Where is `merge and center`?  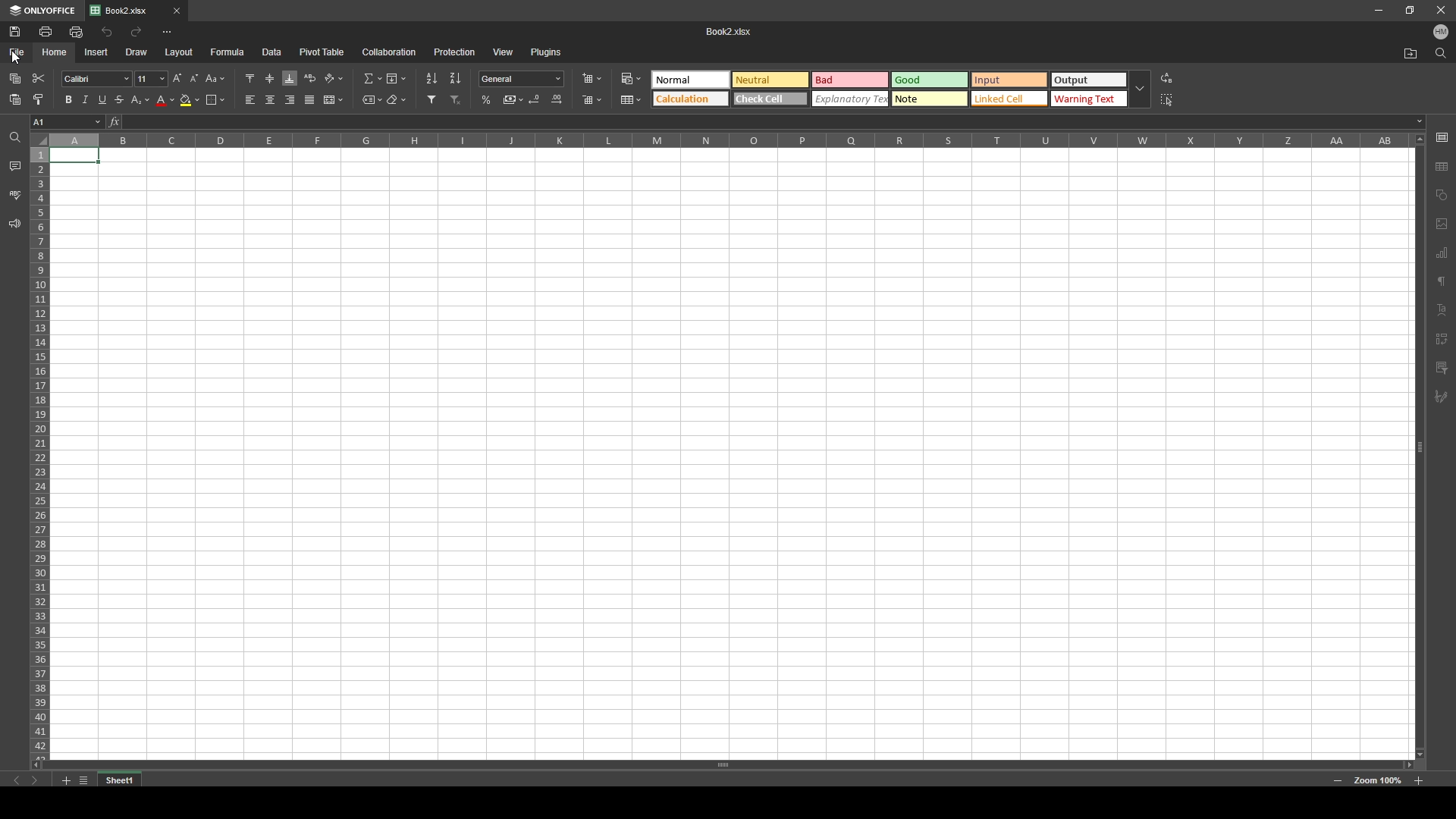
merge and center is located at coordinates (334, 100).